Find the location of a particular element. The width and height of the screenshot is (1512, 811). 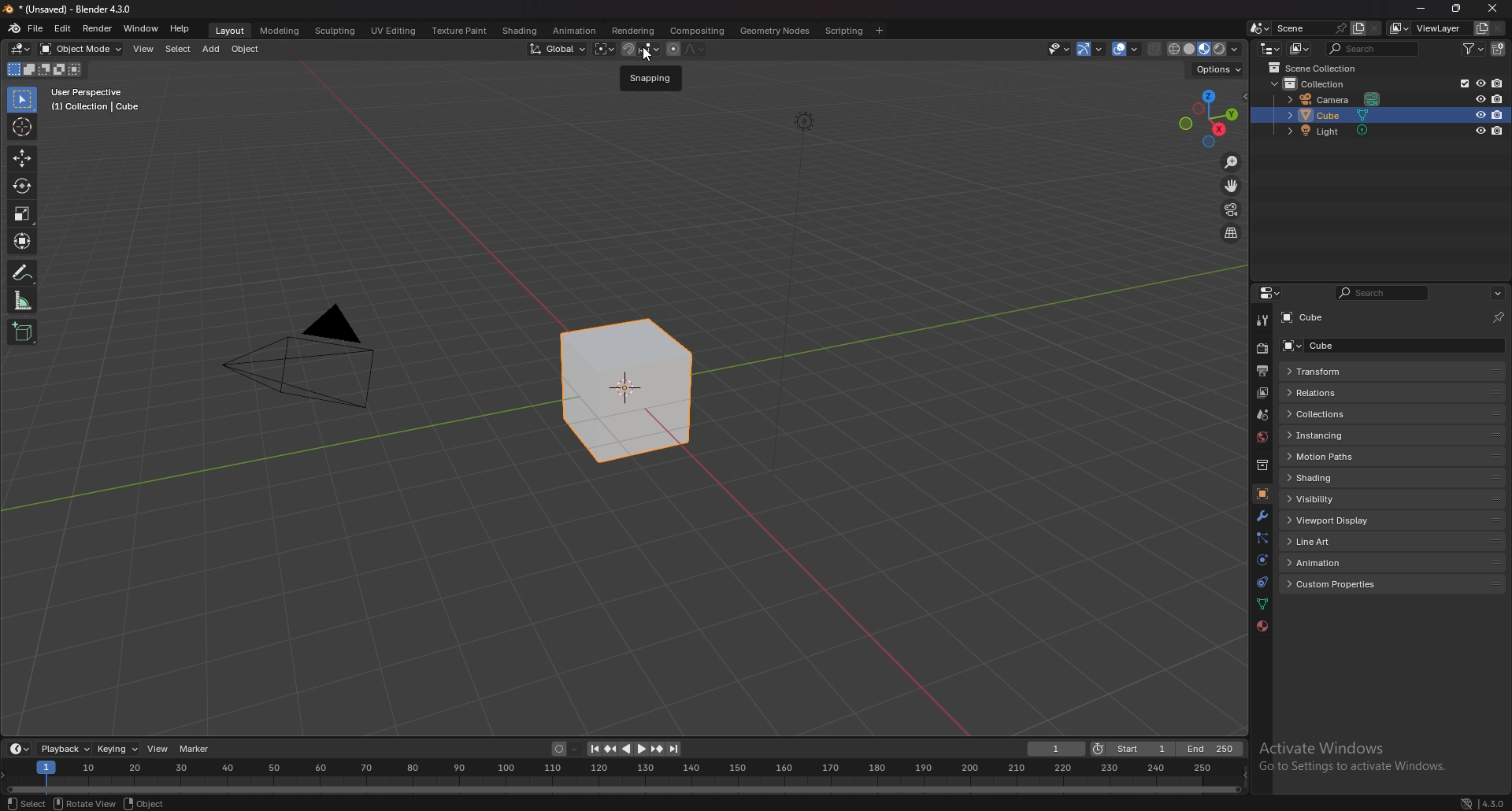

display mode is located at coordinates (1299, 48).